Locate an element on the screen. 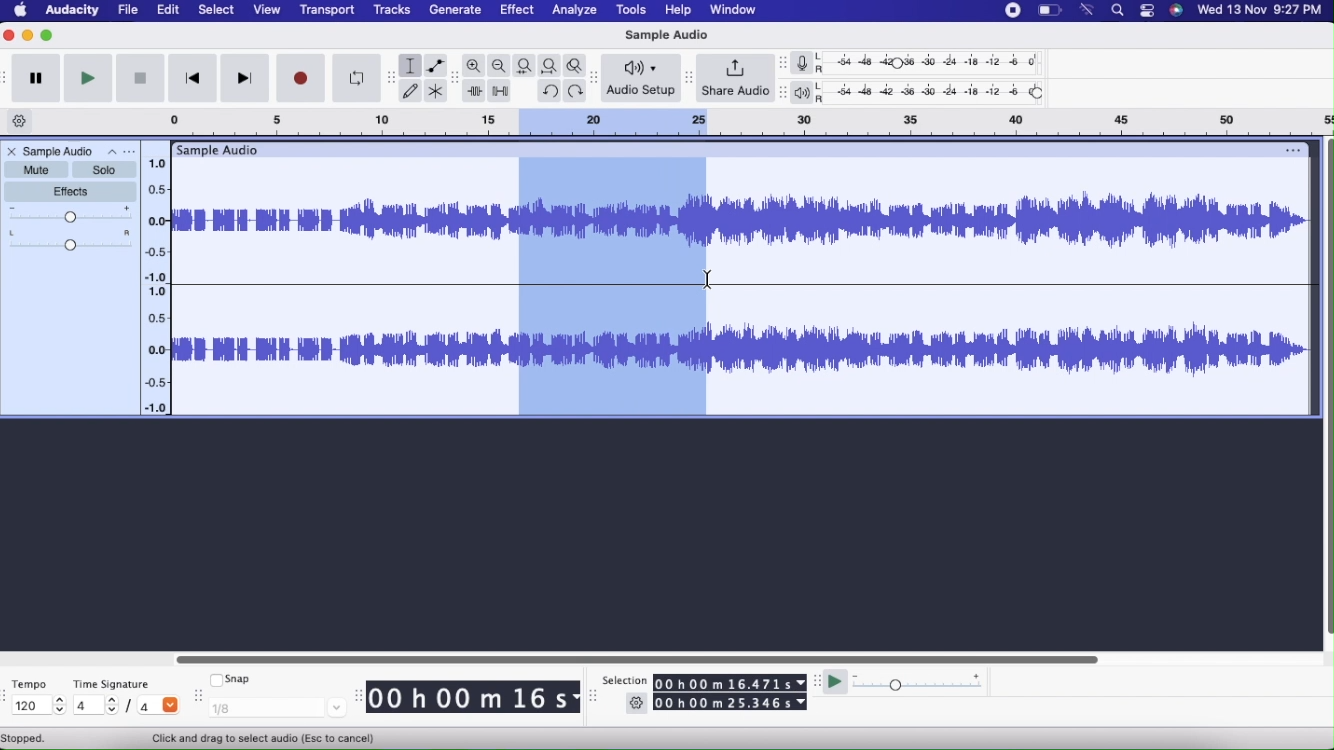 The width and height of the screenshot is (1334, 750). Click and drag to define a looping region is located at coordinates (725, 121).